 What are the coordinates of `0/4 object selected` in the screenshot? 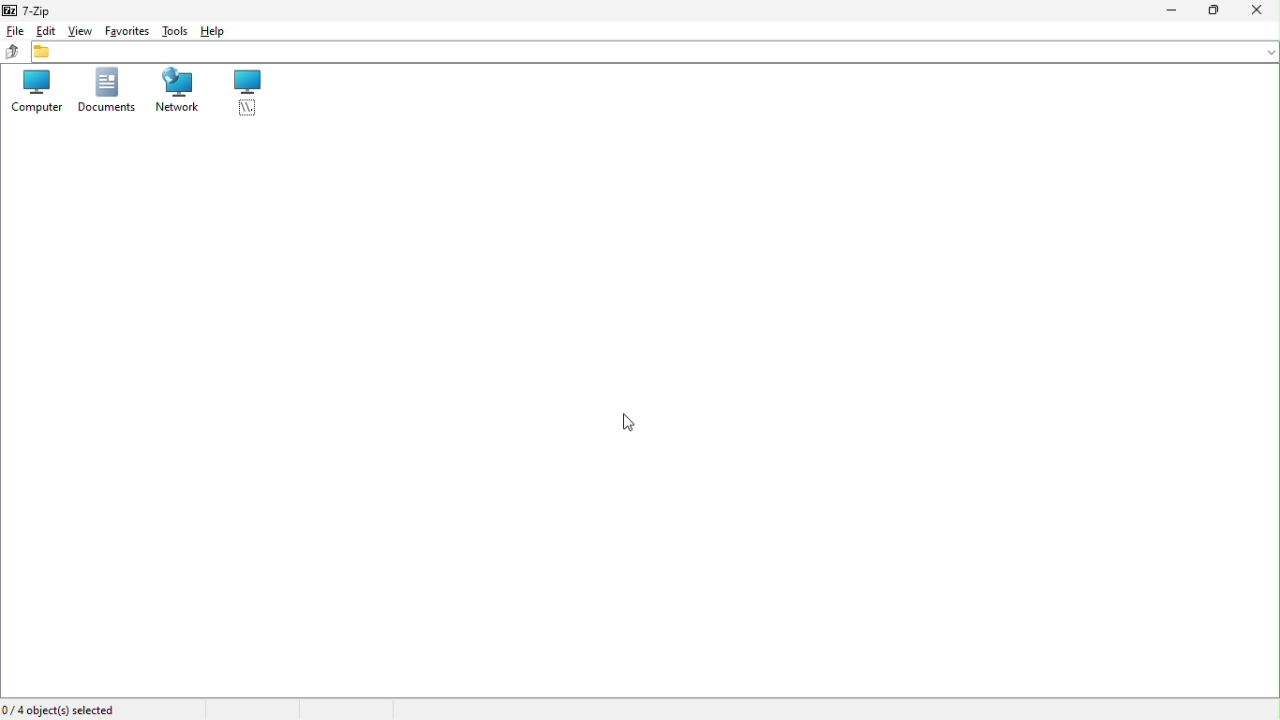 It's located at (62, 708).